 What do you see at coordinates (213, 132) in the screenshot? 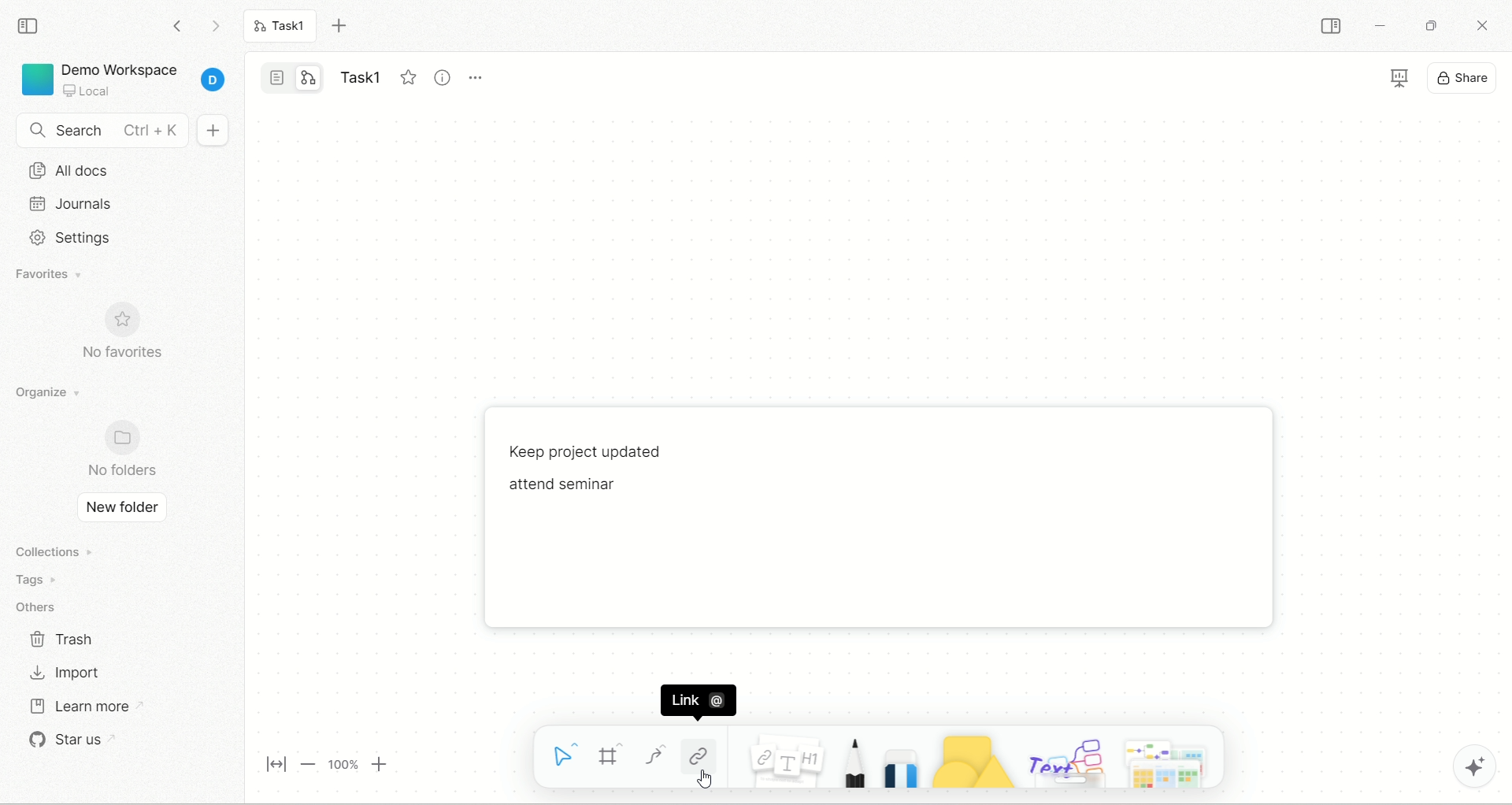
I see `new document` at bounding box center [213, 132].